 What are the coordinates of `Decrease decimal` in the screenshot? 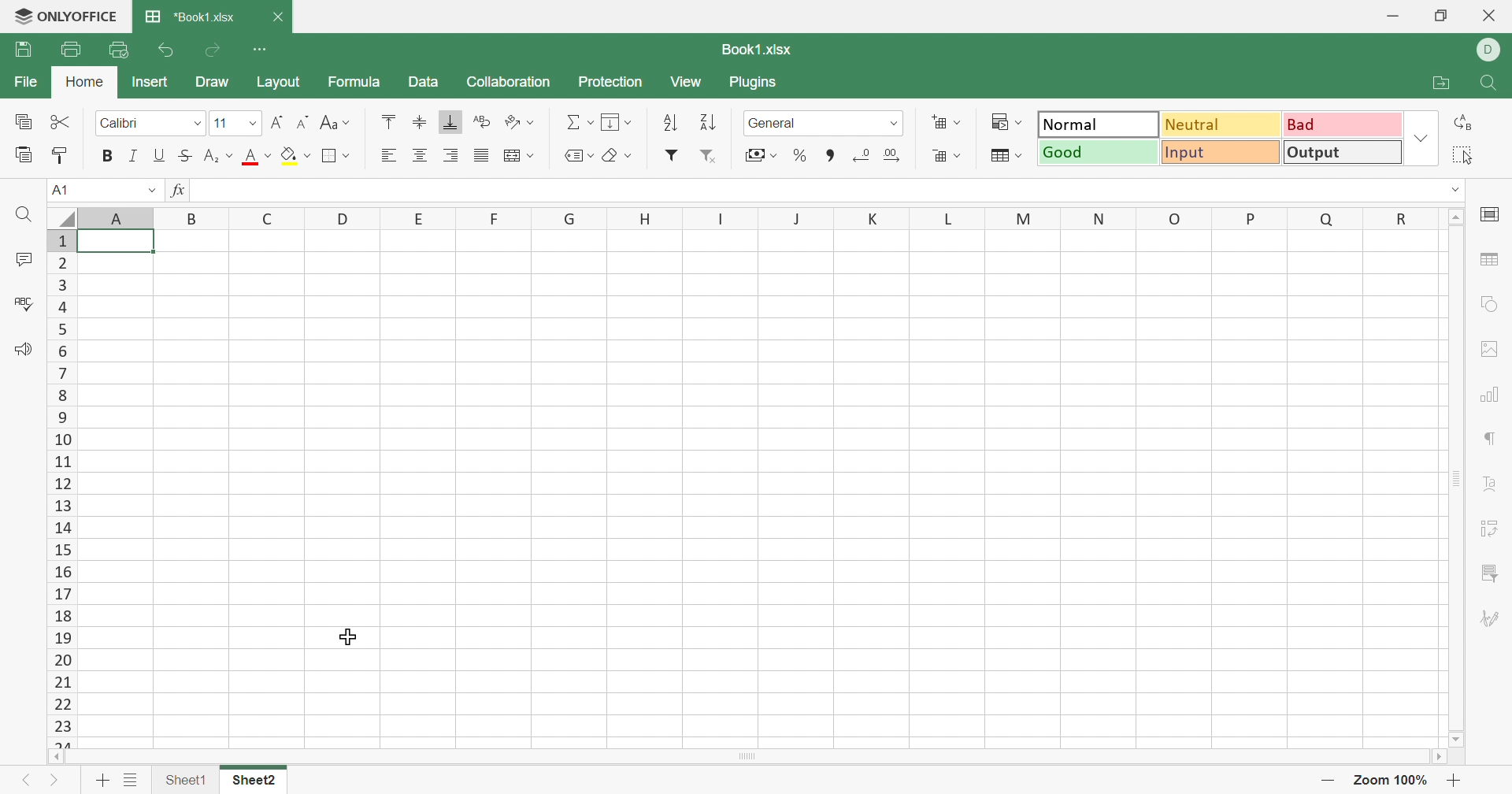 It's located at (858, 153).